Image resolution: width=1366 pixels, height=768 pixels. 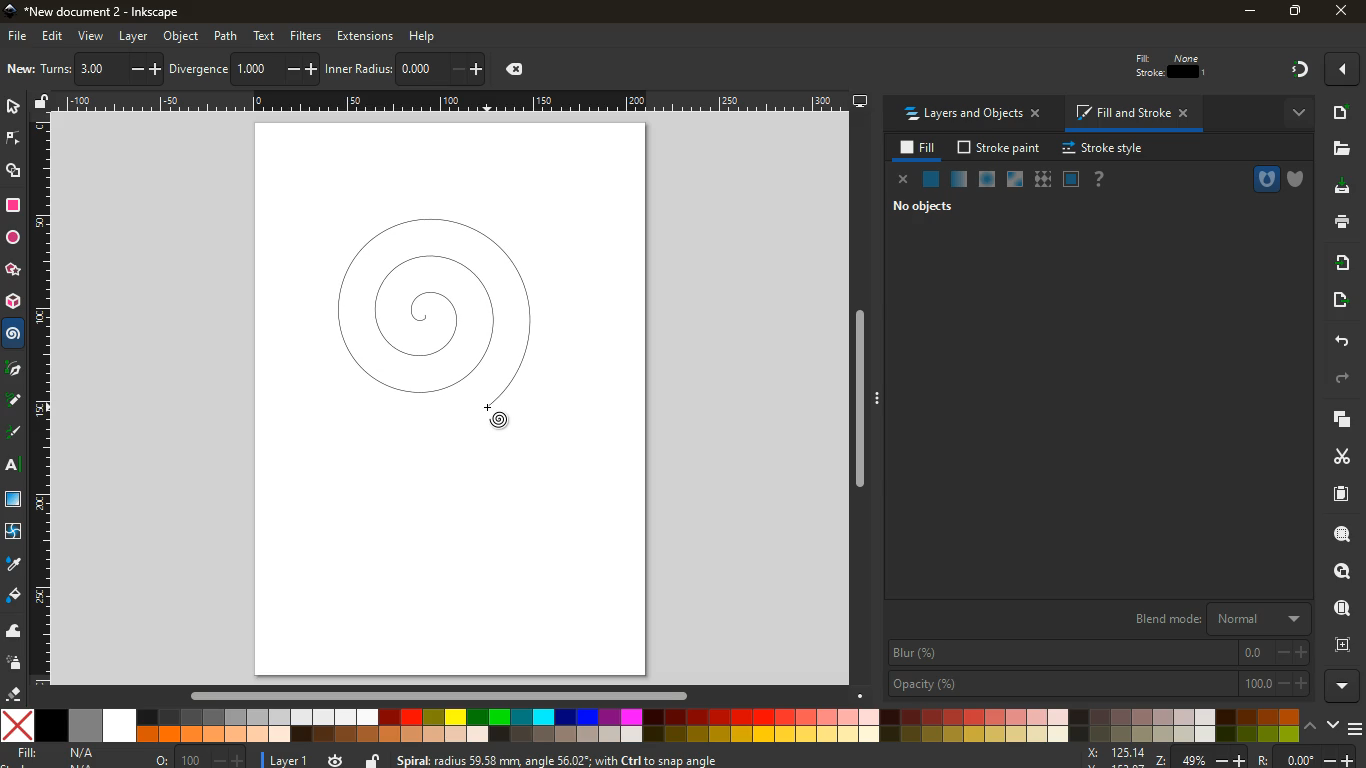 What do you see at coordinates (21, 68) in the screenshot?
I see `image` at bounding box center [21, 68].